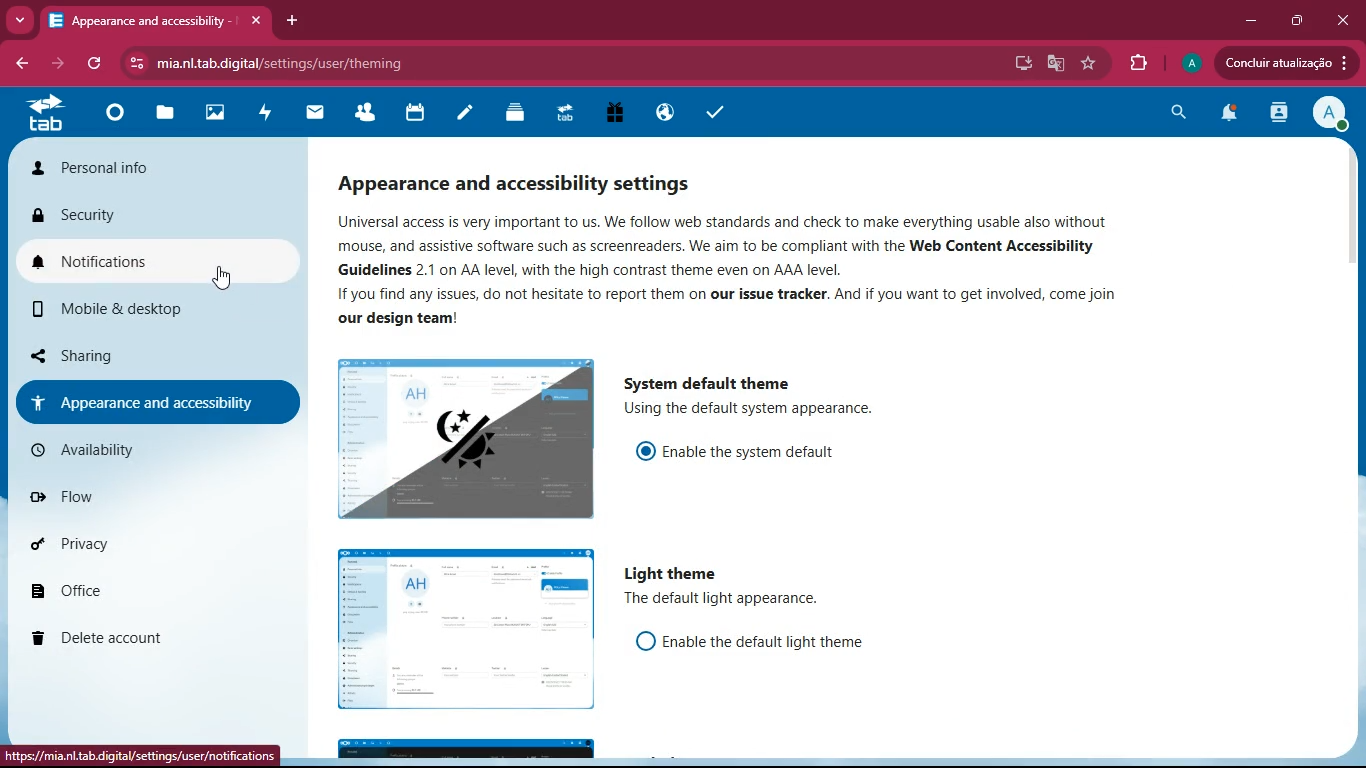  I want to click on friends, so click(366, 109).